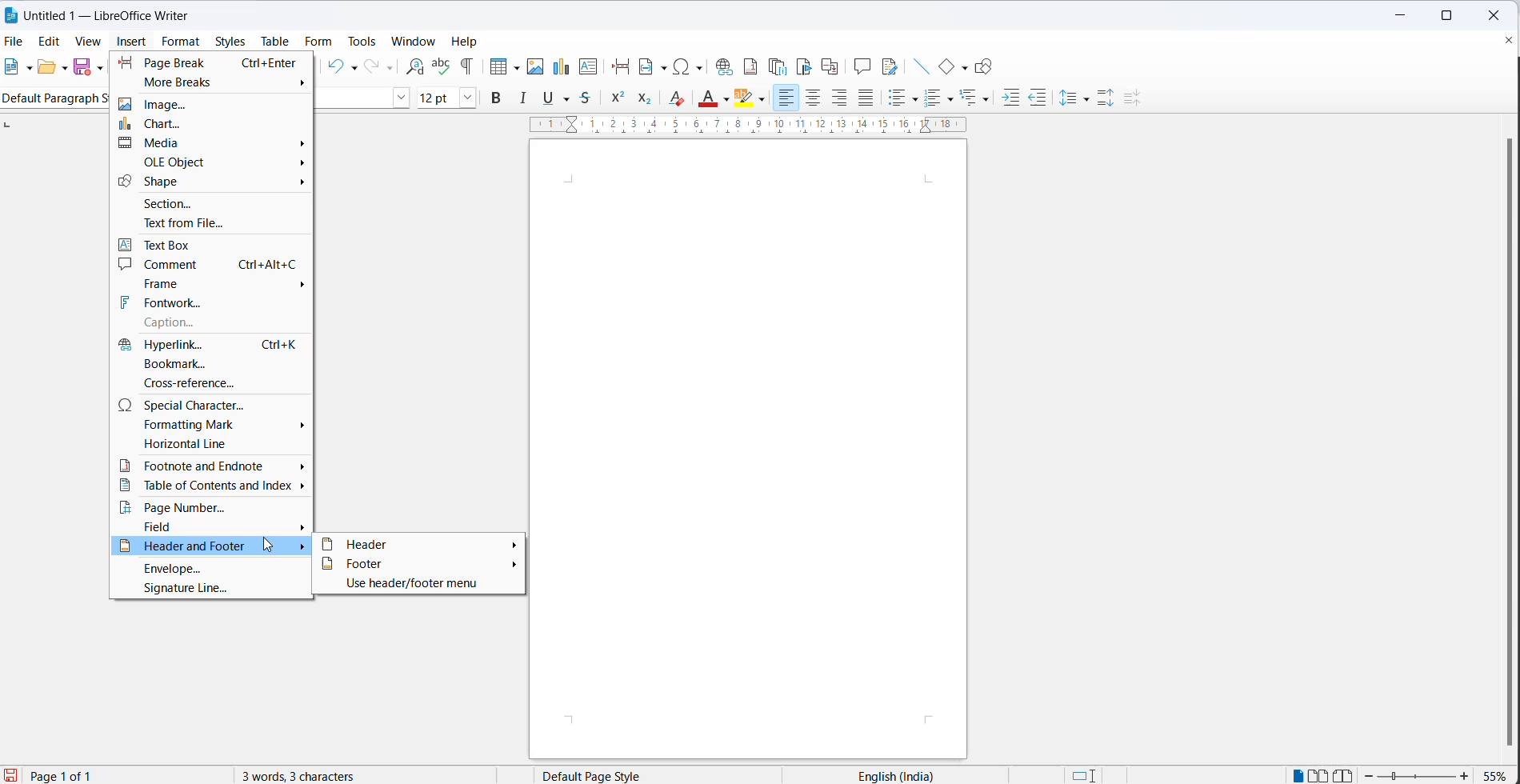 This screenshot has height=784, width=1520. I want to click on formatting mark, so click(209, 426).